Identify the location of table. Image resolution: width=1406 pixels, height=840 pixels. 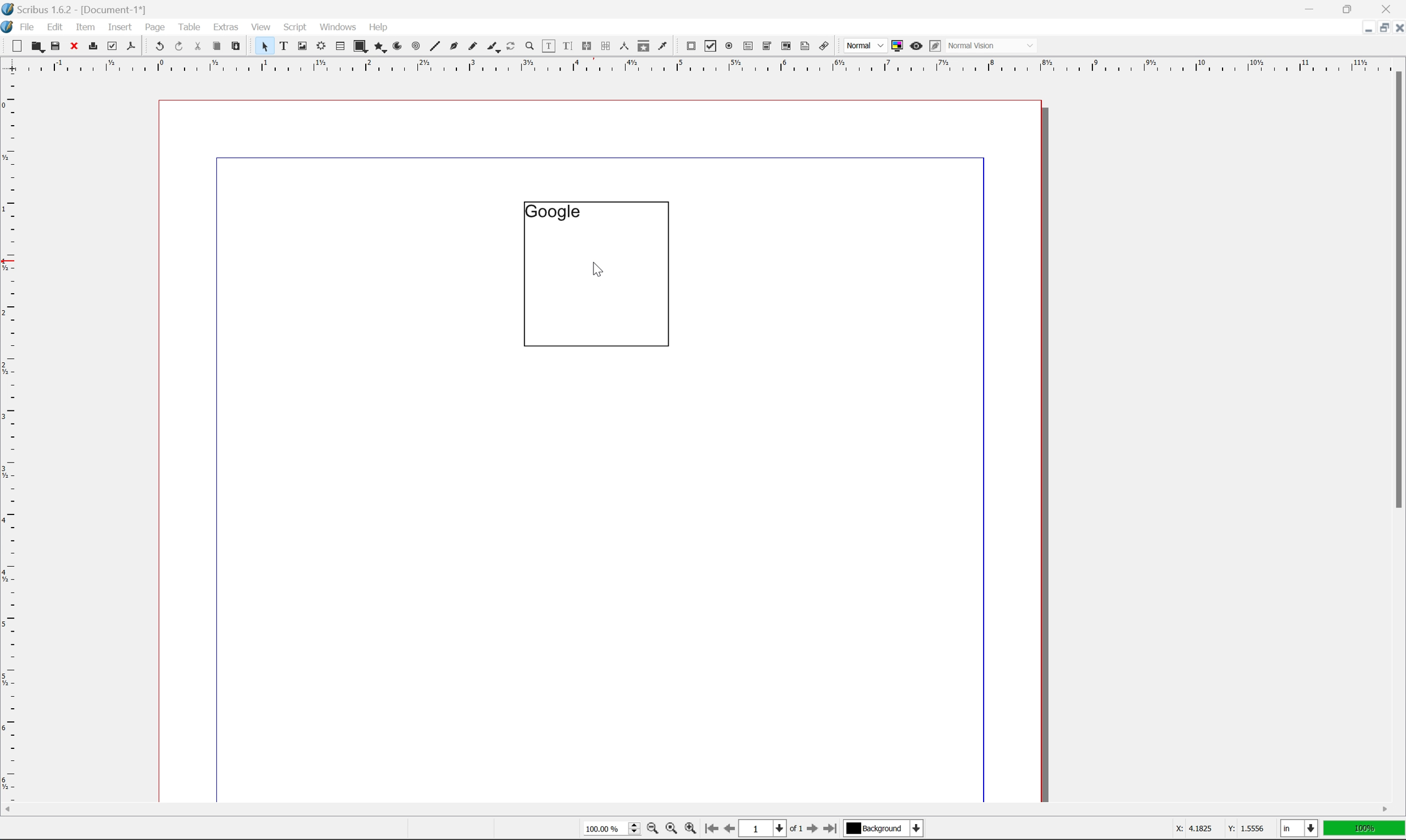
(340, 47).